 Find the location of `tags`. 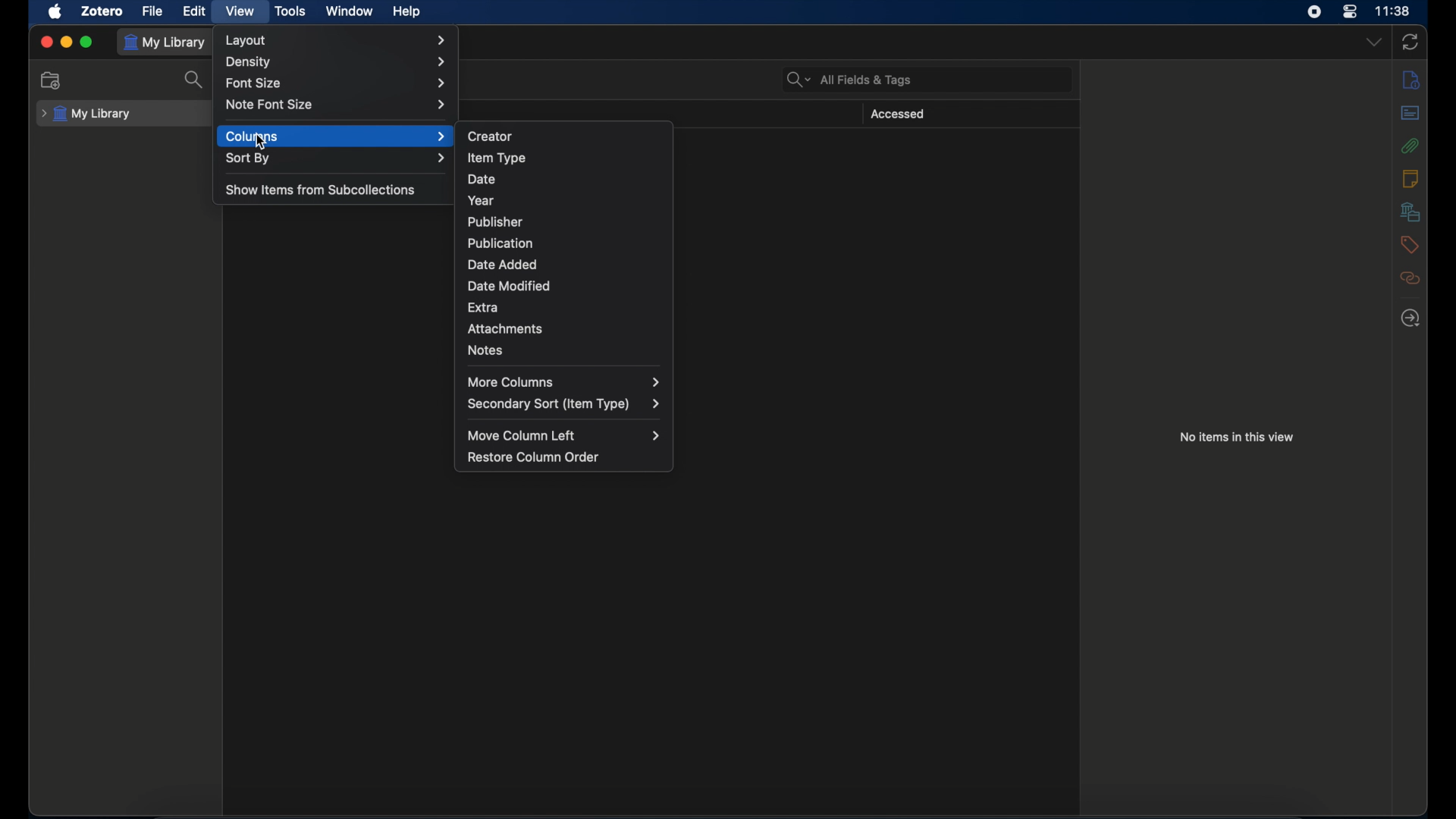

tags is located at coordinates (1410, 244).